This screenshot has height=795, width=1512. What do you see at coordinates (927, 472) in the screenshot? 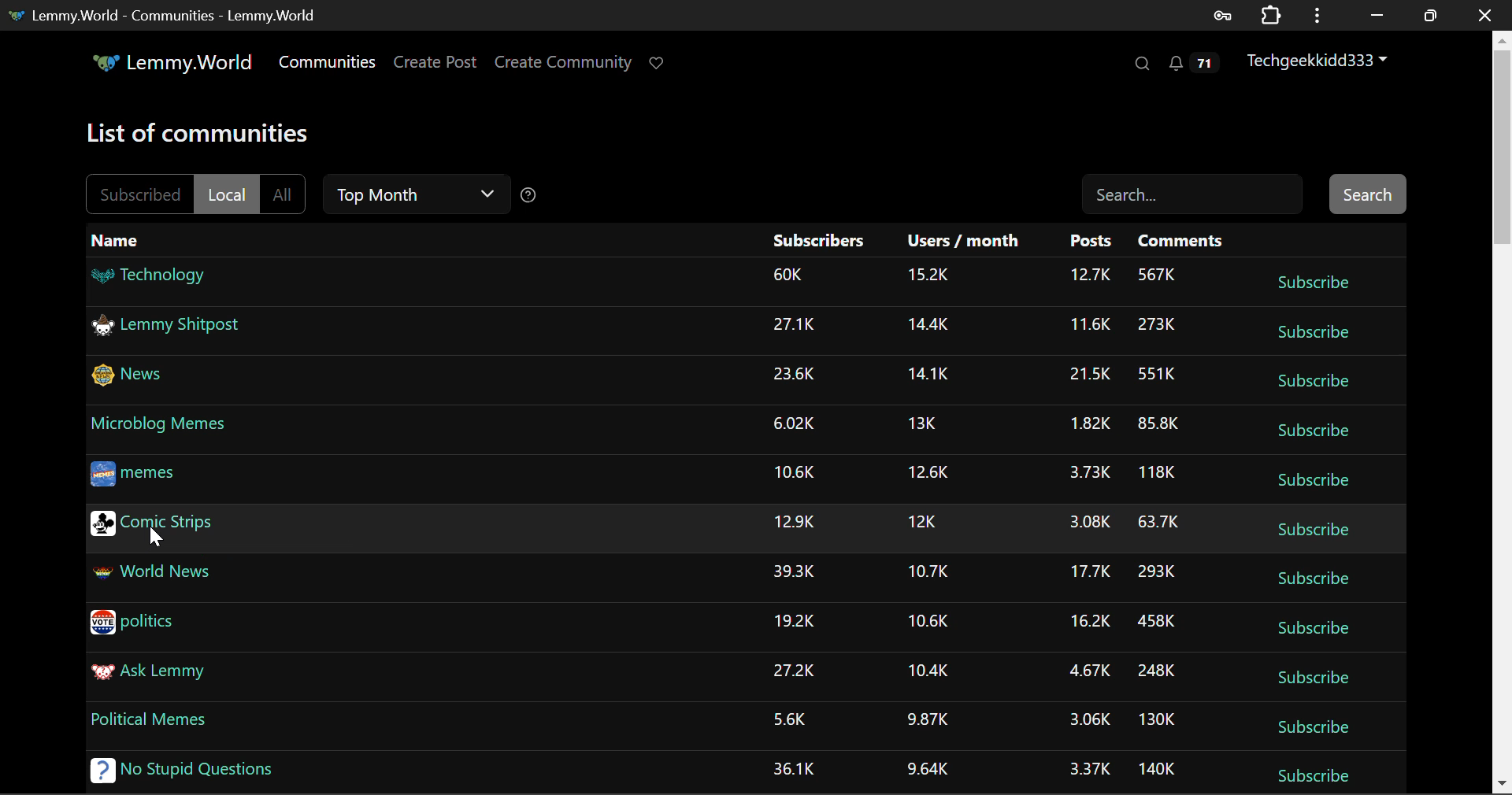
I see `12.6K` at bounding box center [927, 472].